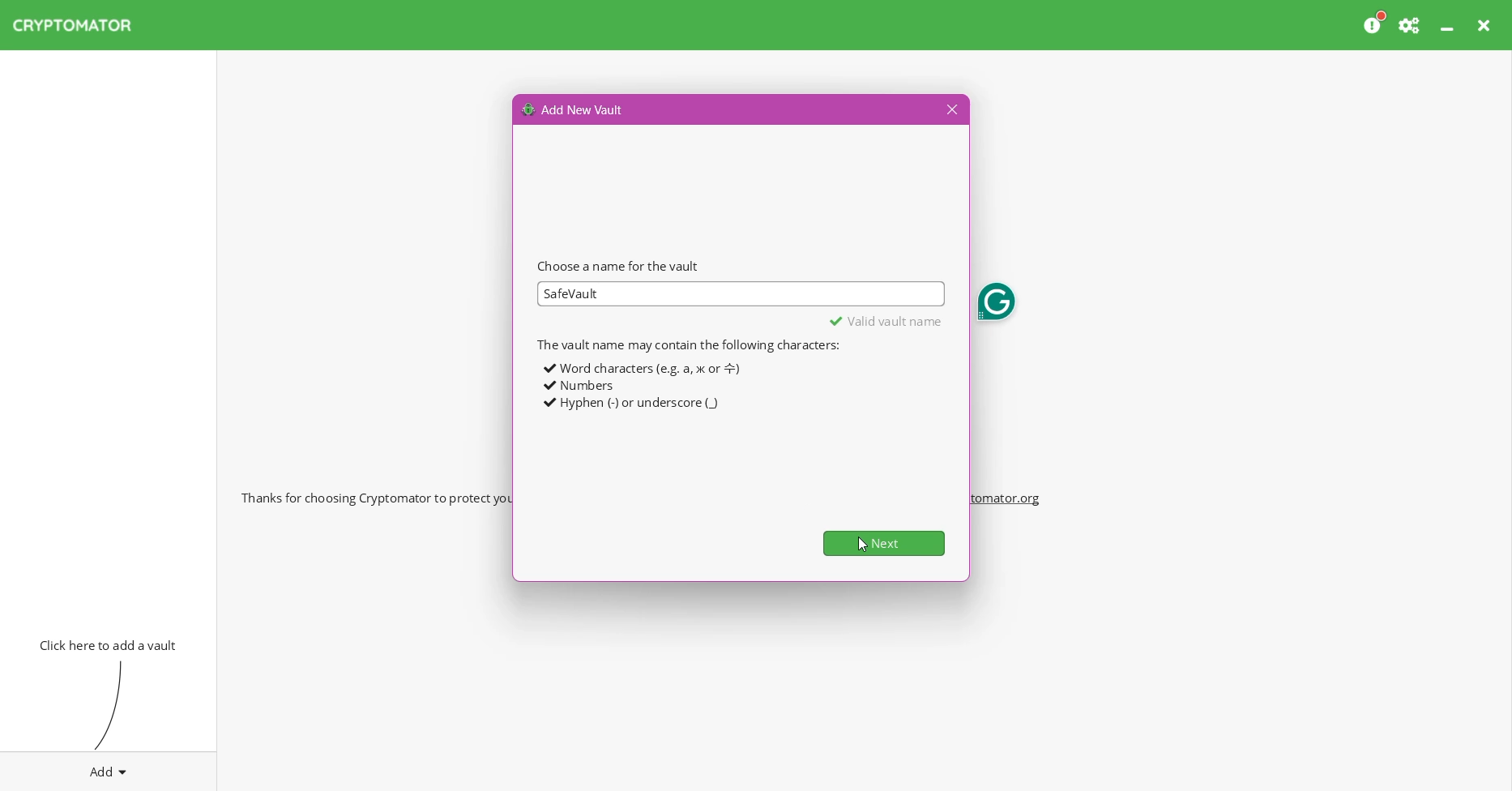 This screenshot has width=1512, height=791. What do you see at coordinates (618, 266) in the screenshot?
I see `Choose a name for the vault` at bounding box center [618, 266].